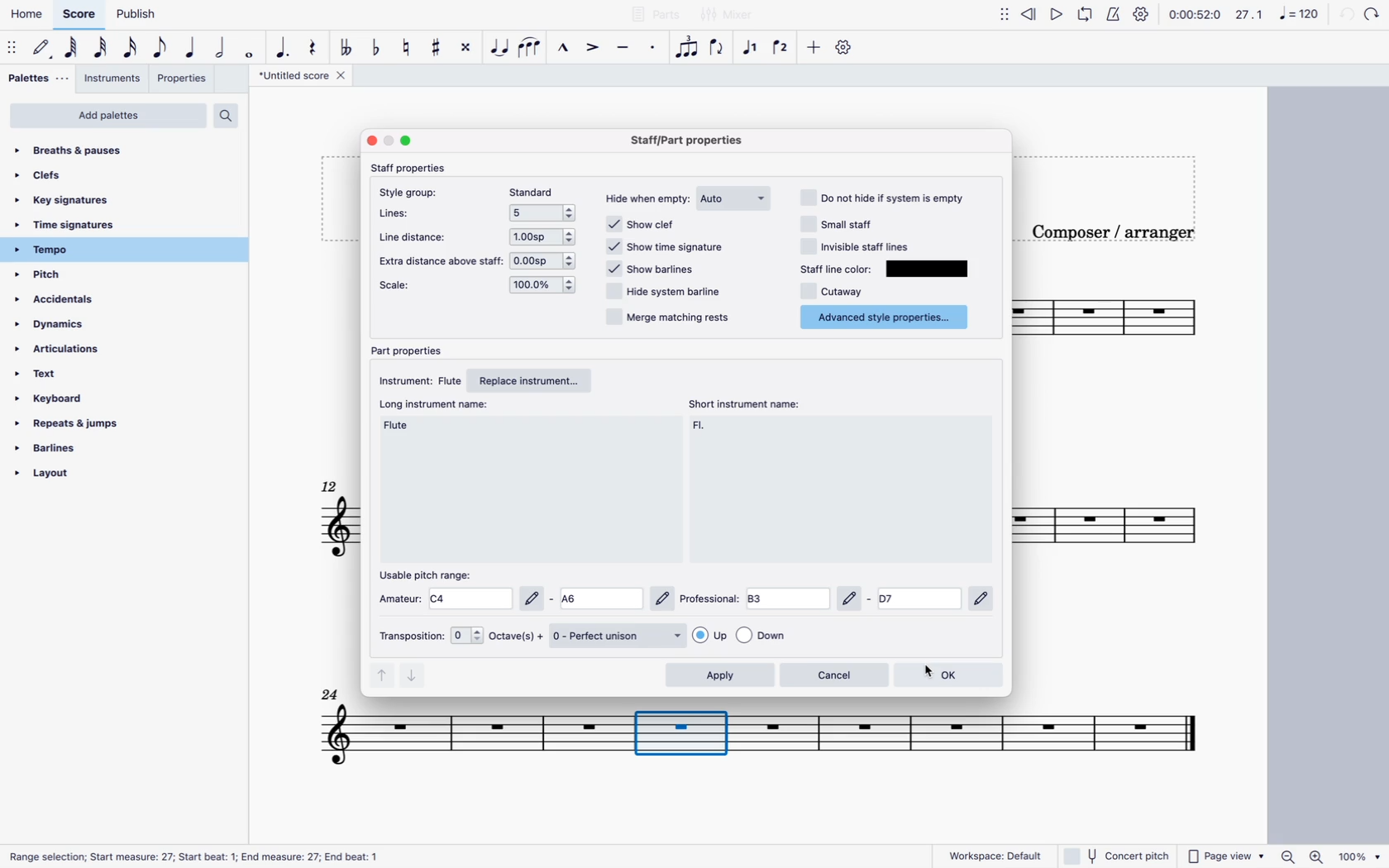 The width and height of the screenshot is (1389, 868). What do you see at coordinates (671, 321) in the screenshot?
I see `merge matching rests` at bounding box center [671, 321].